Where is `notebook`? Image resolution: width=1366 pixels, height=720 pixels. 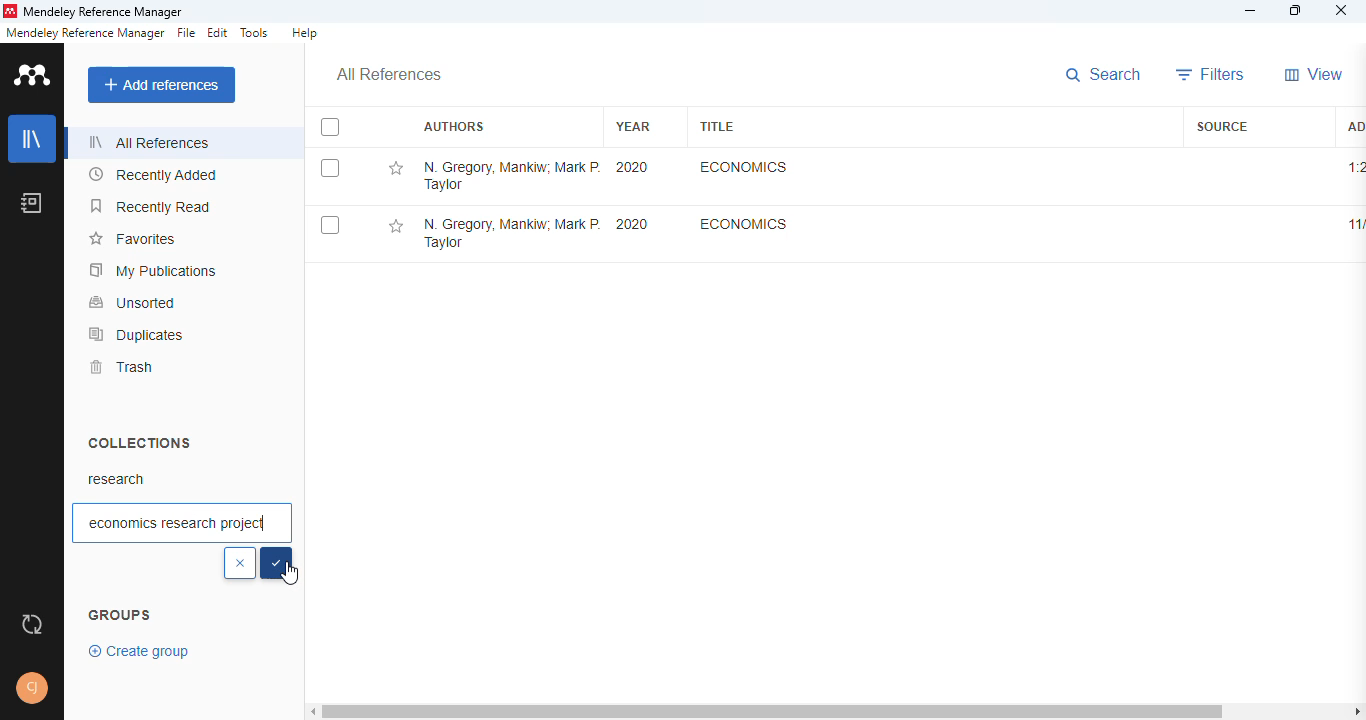
notebook is located at coordinates (32, 202).